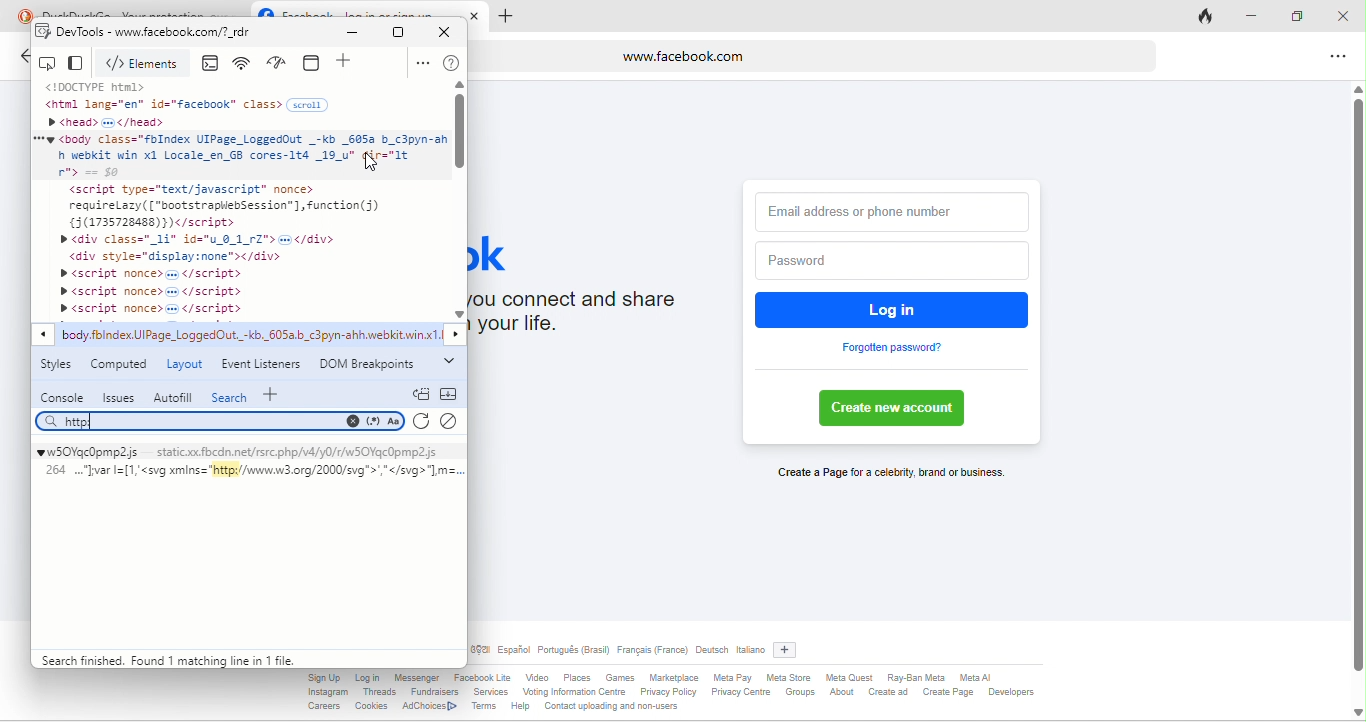 Image resolution: width=1366 pixels, height=722 pixels. Describe the element at coordinates (505, 17) in the screenshot. I see `add tab` at that location.